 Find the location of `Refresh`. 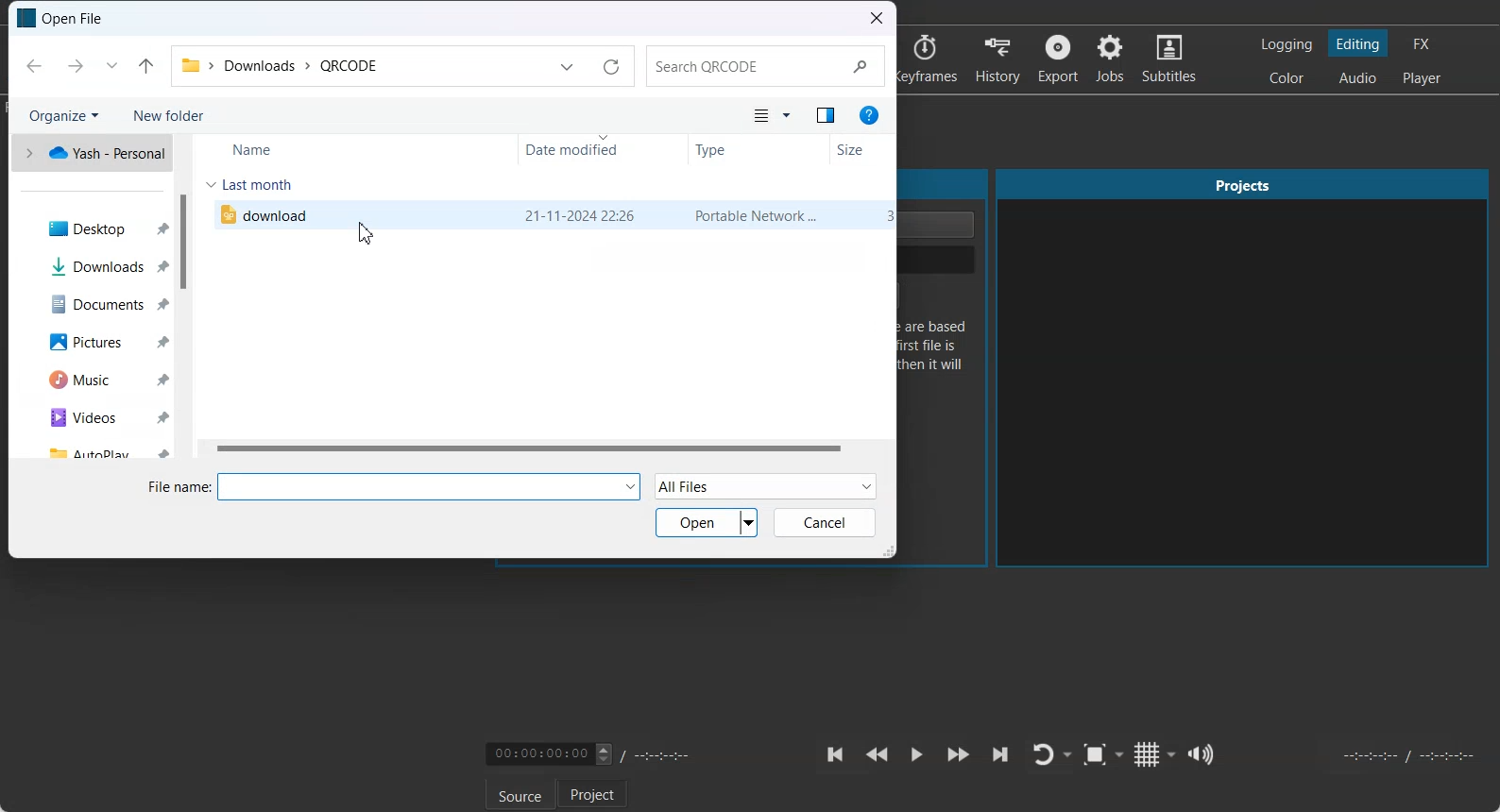

Refresh is located at coordinates (610, 67).